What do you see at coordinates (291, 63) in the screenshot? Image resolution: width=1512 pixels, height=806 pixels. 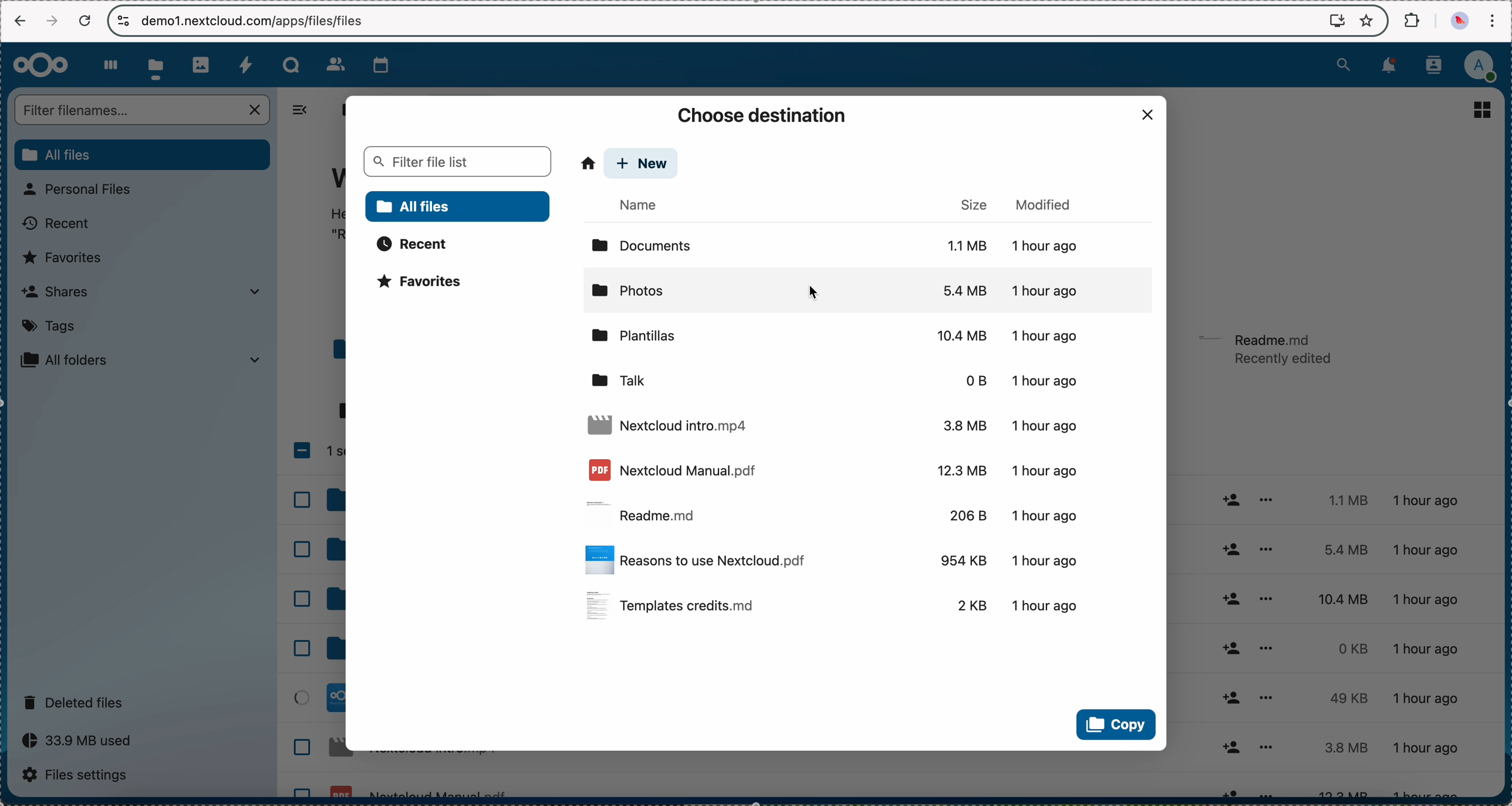 I see `Talk` at bounding box center [291, 63].